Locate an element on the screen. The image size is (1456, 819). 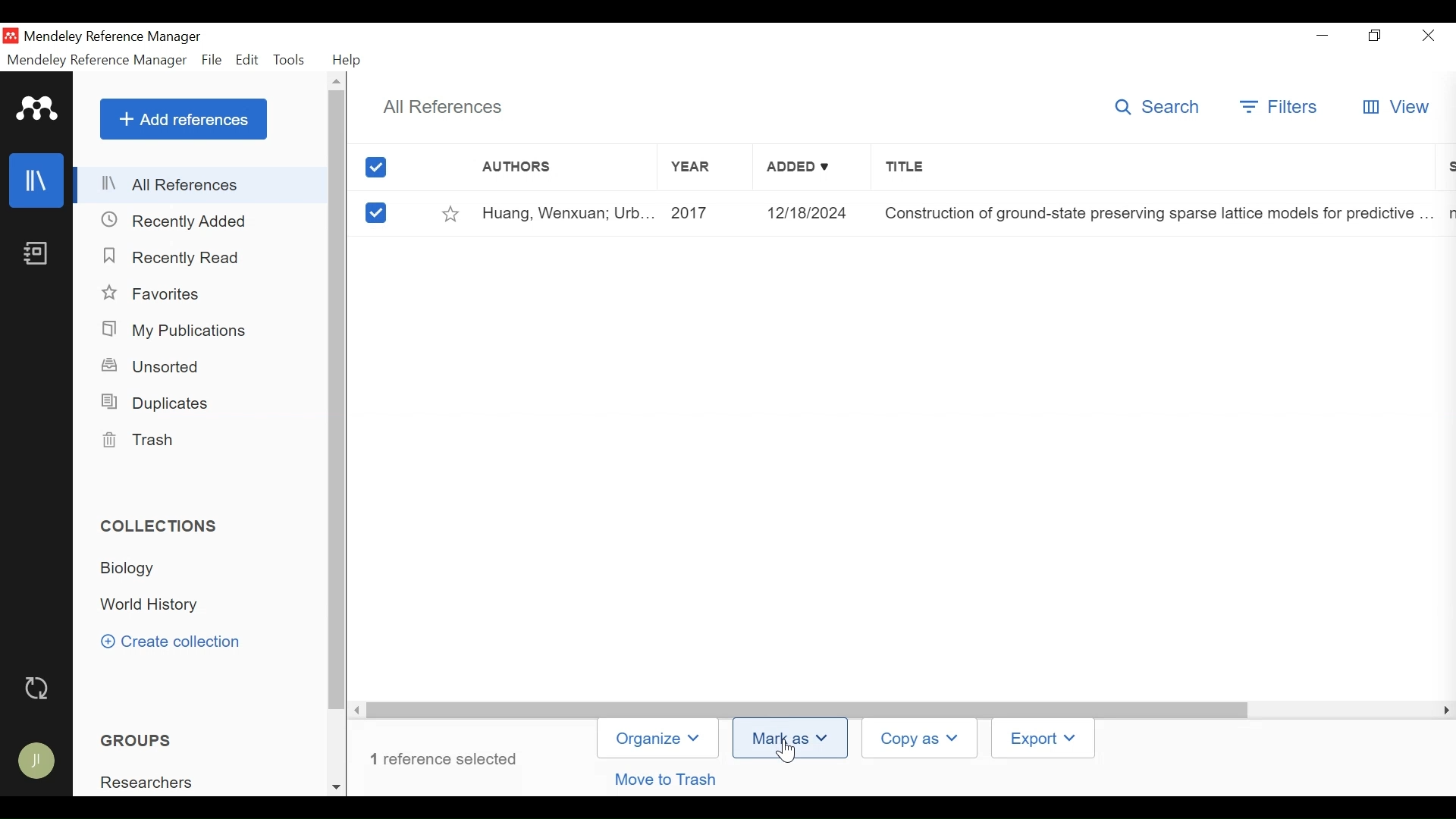
View is located at coordinates (1395, 108).